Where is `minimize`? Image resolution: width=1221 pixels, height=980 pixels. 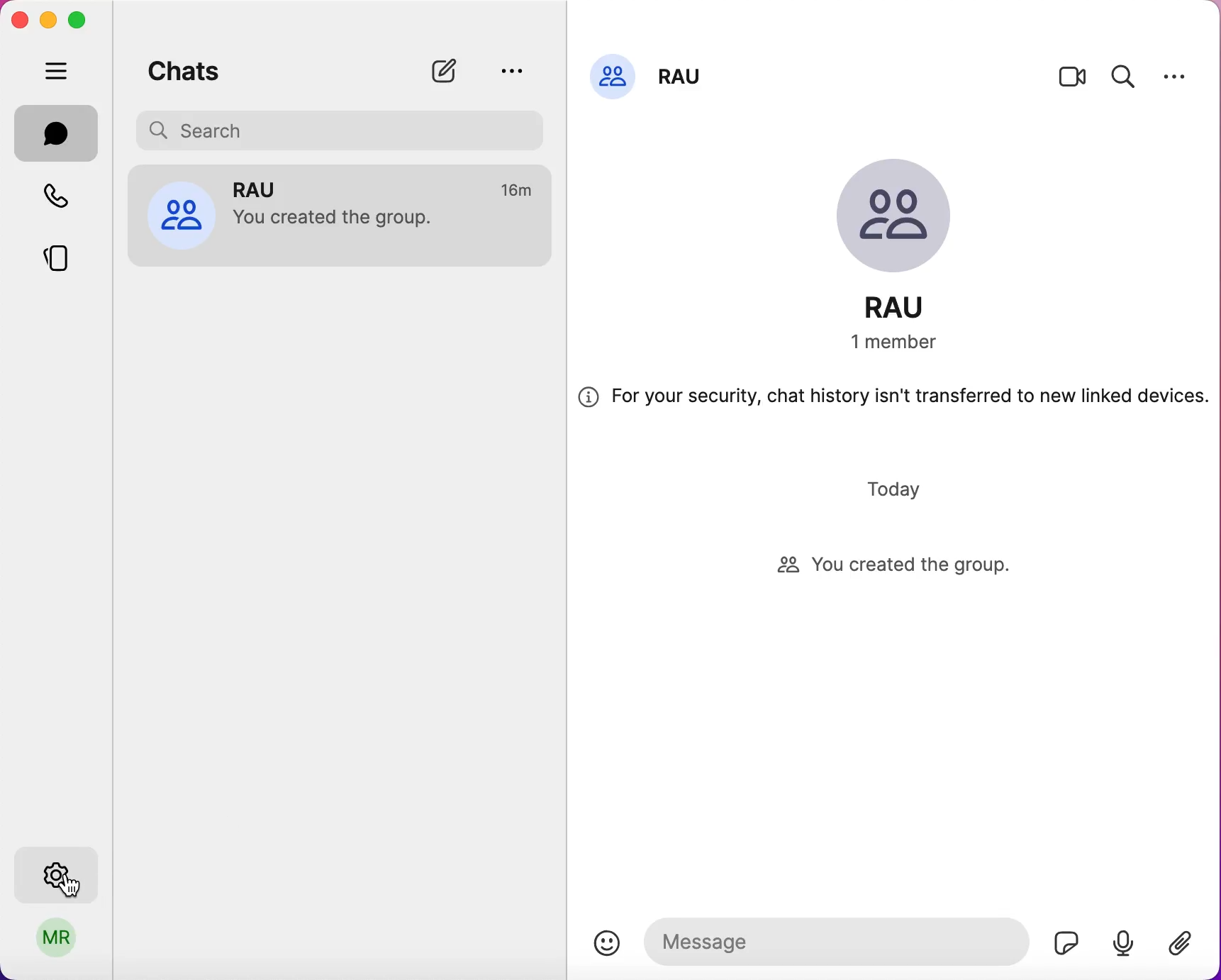 minimize is located at coordinates (47, 19).